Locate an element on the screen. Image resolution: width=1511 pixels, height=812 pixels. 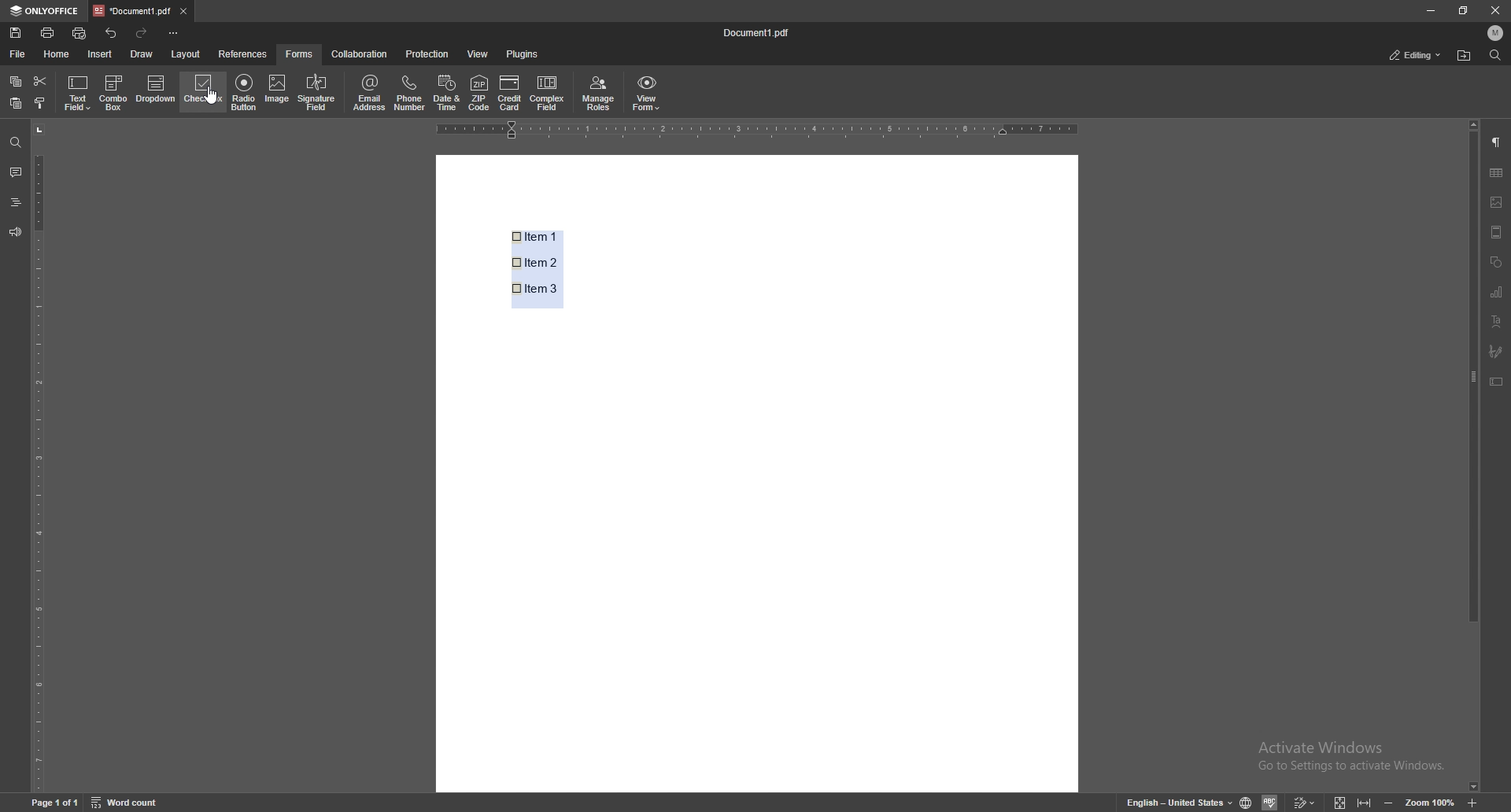
signature field is located at coordinates (320, 93).